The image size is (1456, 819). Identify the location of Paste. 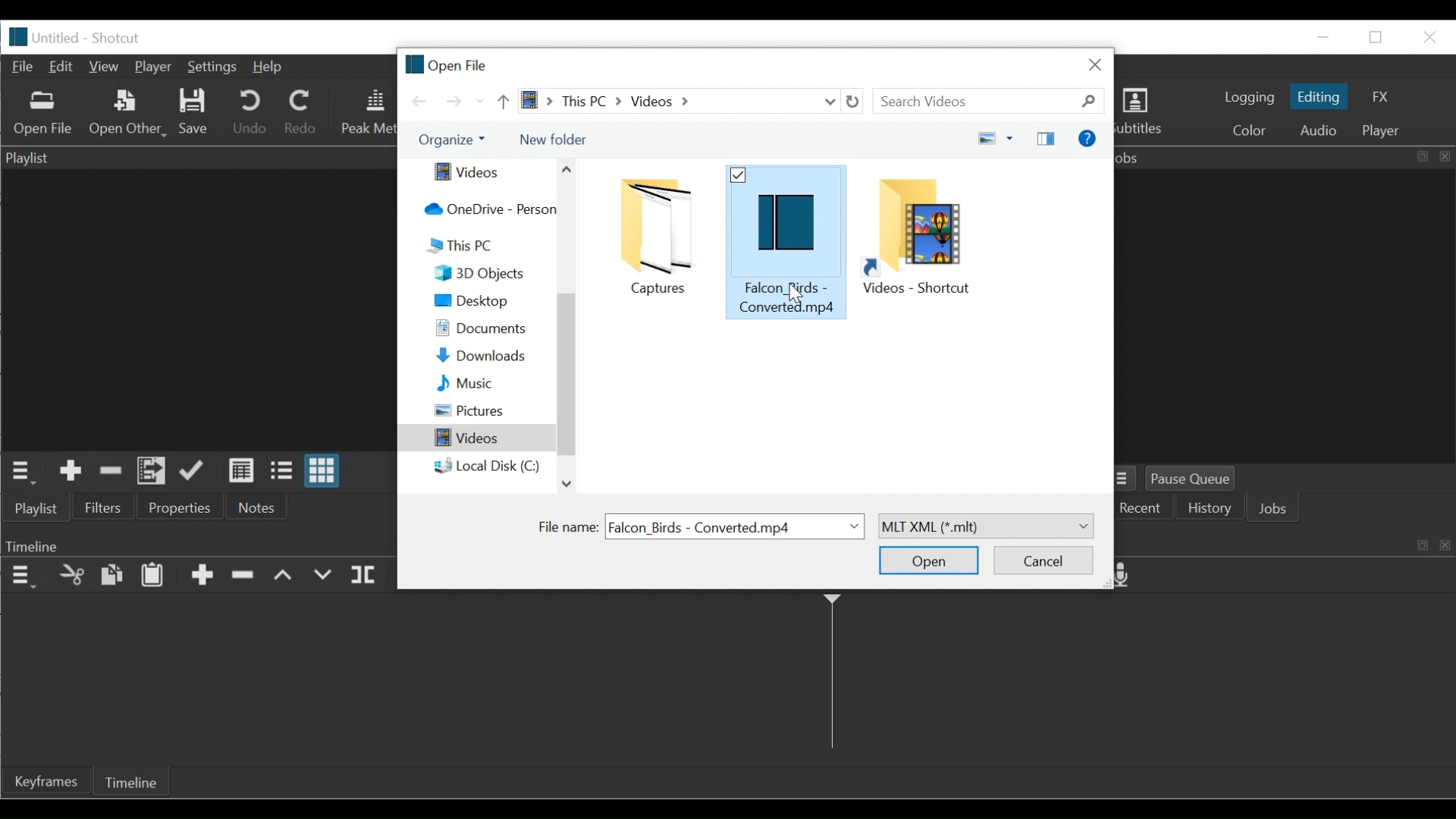
(152, 576).